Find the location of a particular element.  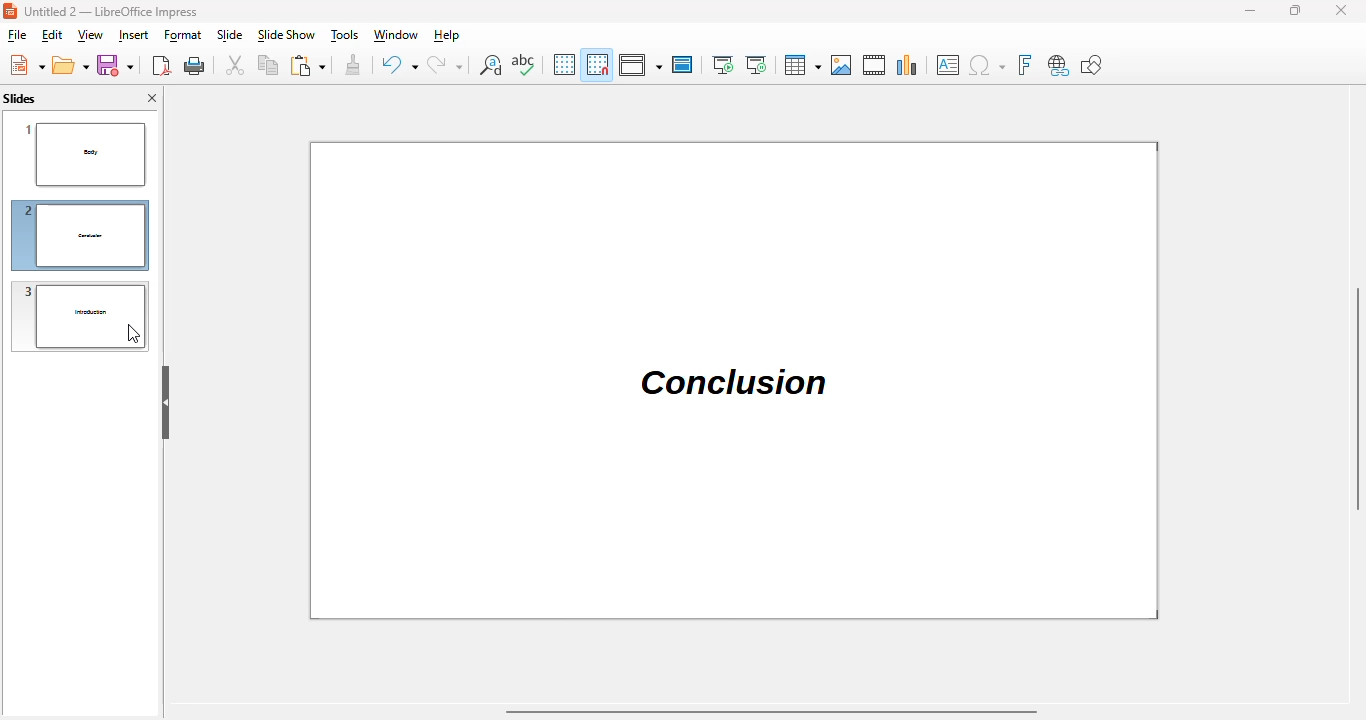

tools is located at coordinates (345, 35).